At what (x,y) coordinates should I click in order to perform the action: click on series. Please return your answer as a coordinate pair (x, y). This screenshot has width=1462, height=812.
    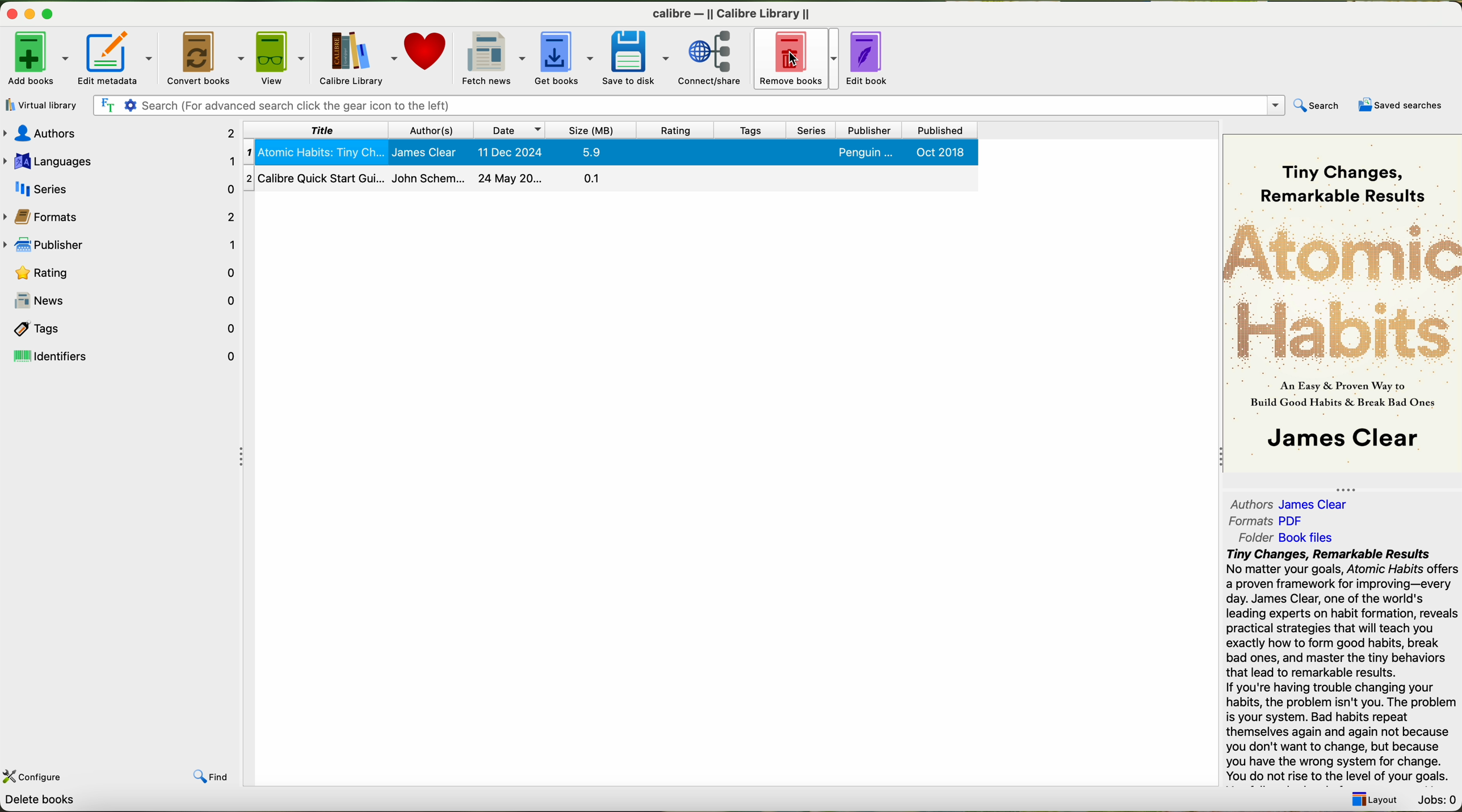
    Looking at the image, I should click on (812, 130).